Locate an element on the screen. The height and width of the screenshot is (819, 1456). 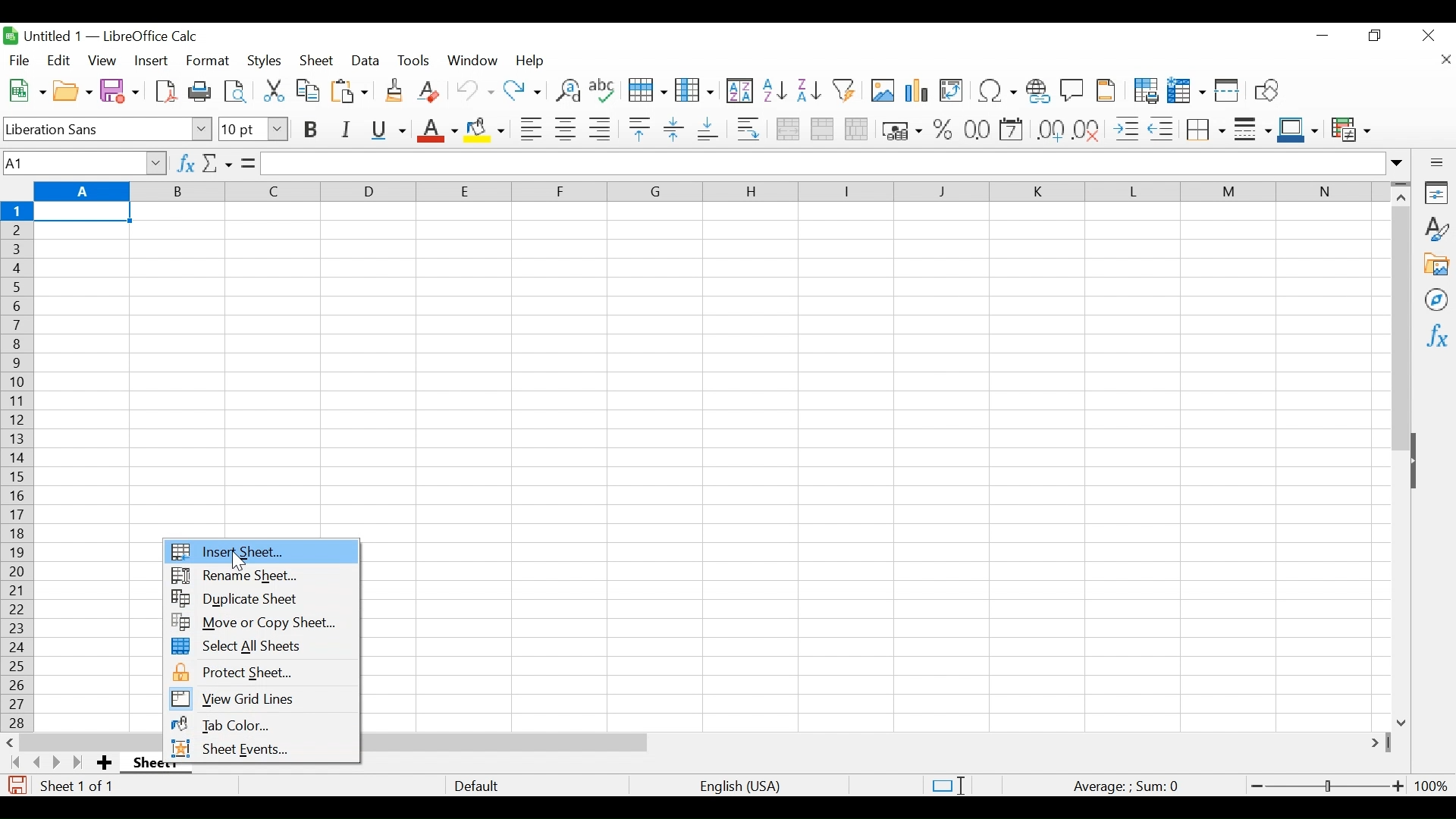
Align Top is located at coordinates (639, 129).